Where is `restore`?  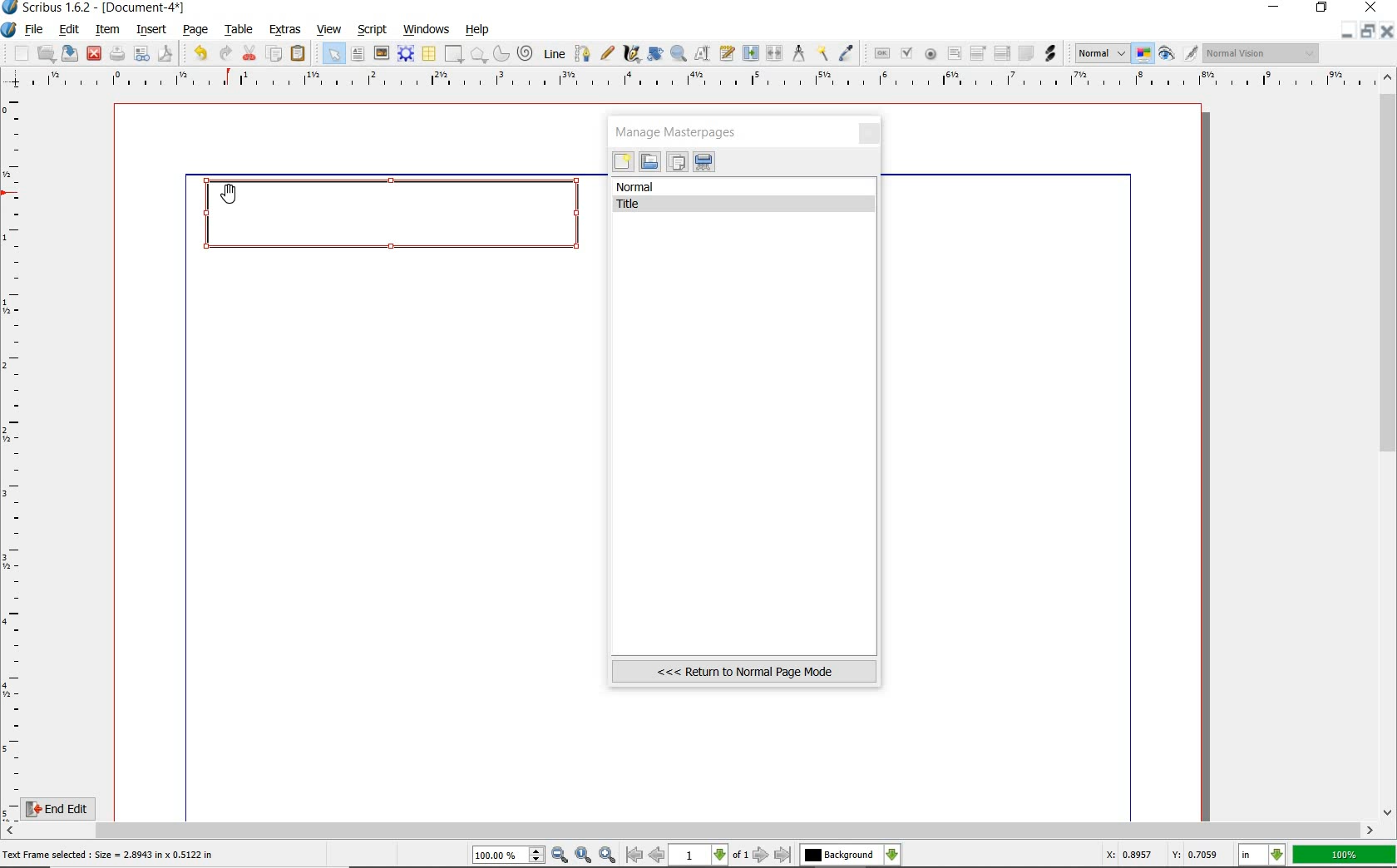
restore is located at coordinates (1370, 32).